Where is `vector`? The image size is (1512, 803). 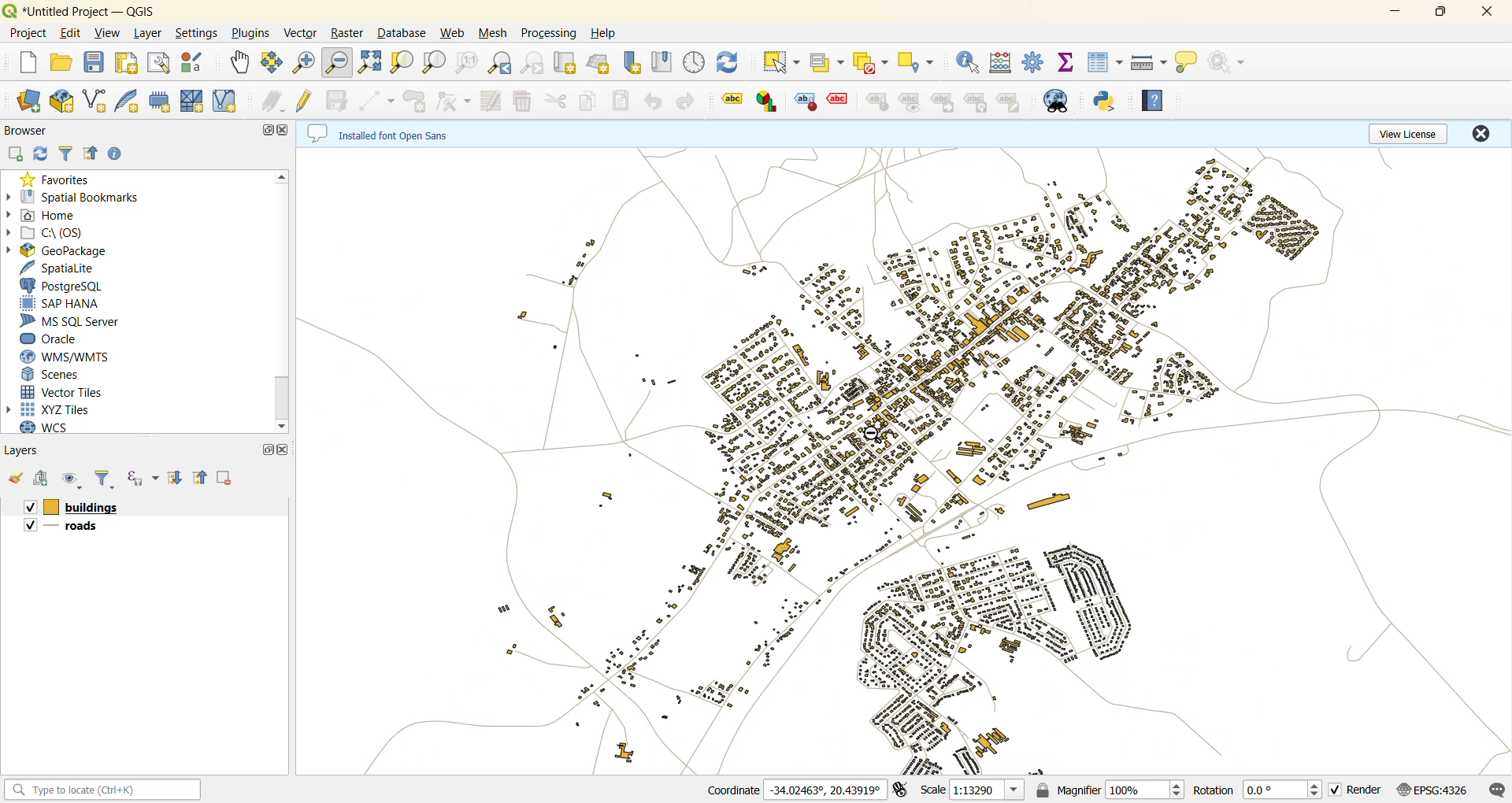 vector is located at coordinates (300, 35).